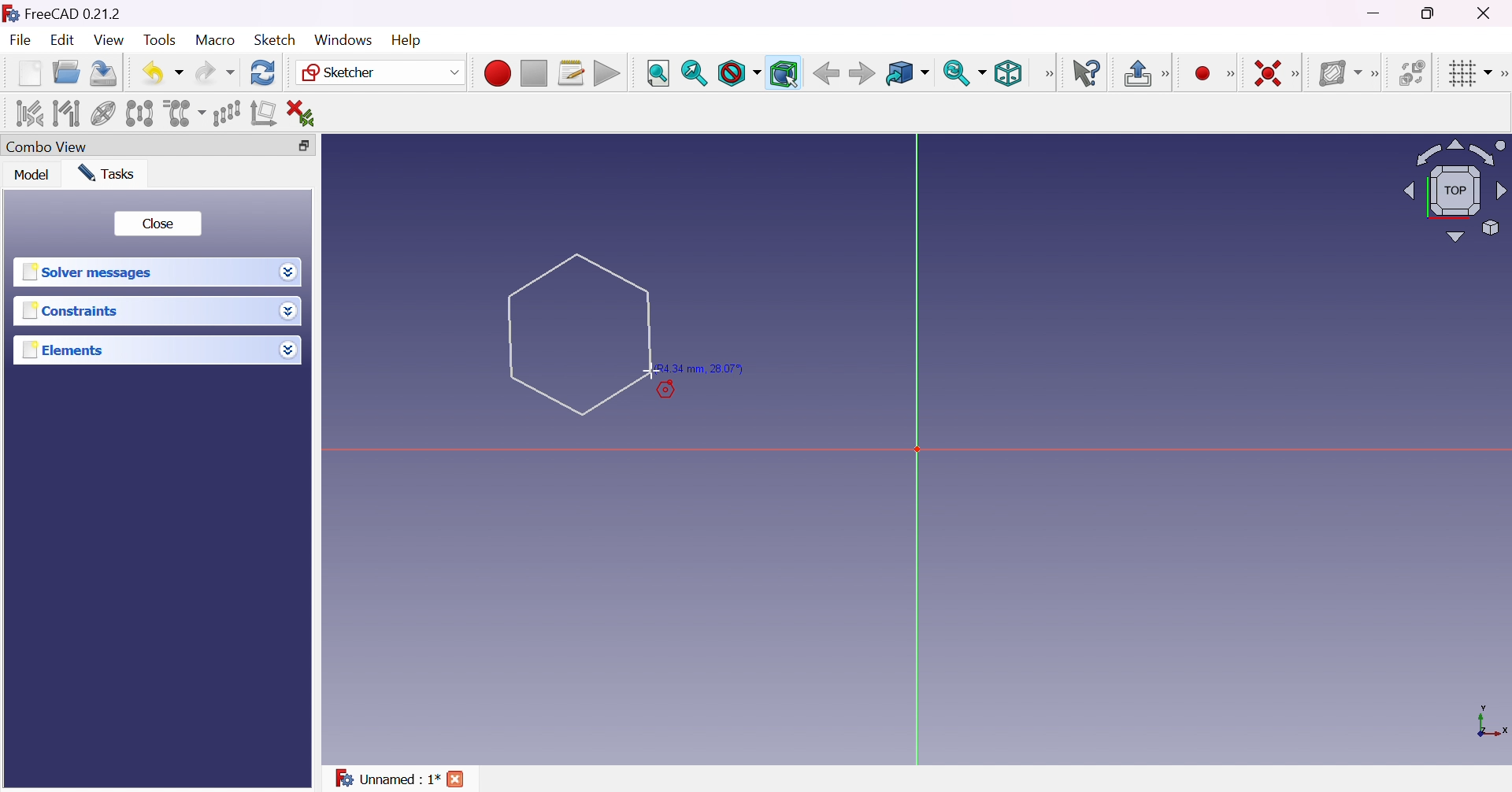 Image resolution: width=1512 pixels, height=792 pixels. What do you see at coordinates (964, 72) in the screenshot?
I see `Sync` at bounding box center [964, 72].